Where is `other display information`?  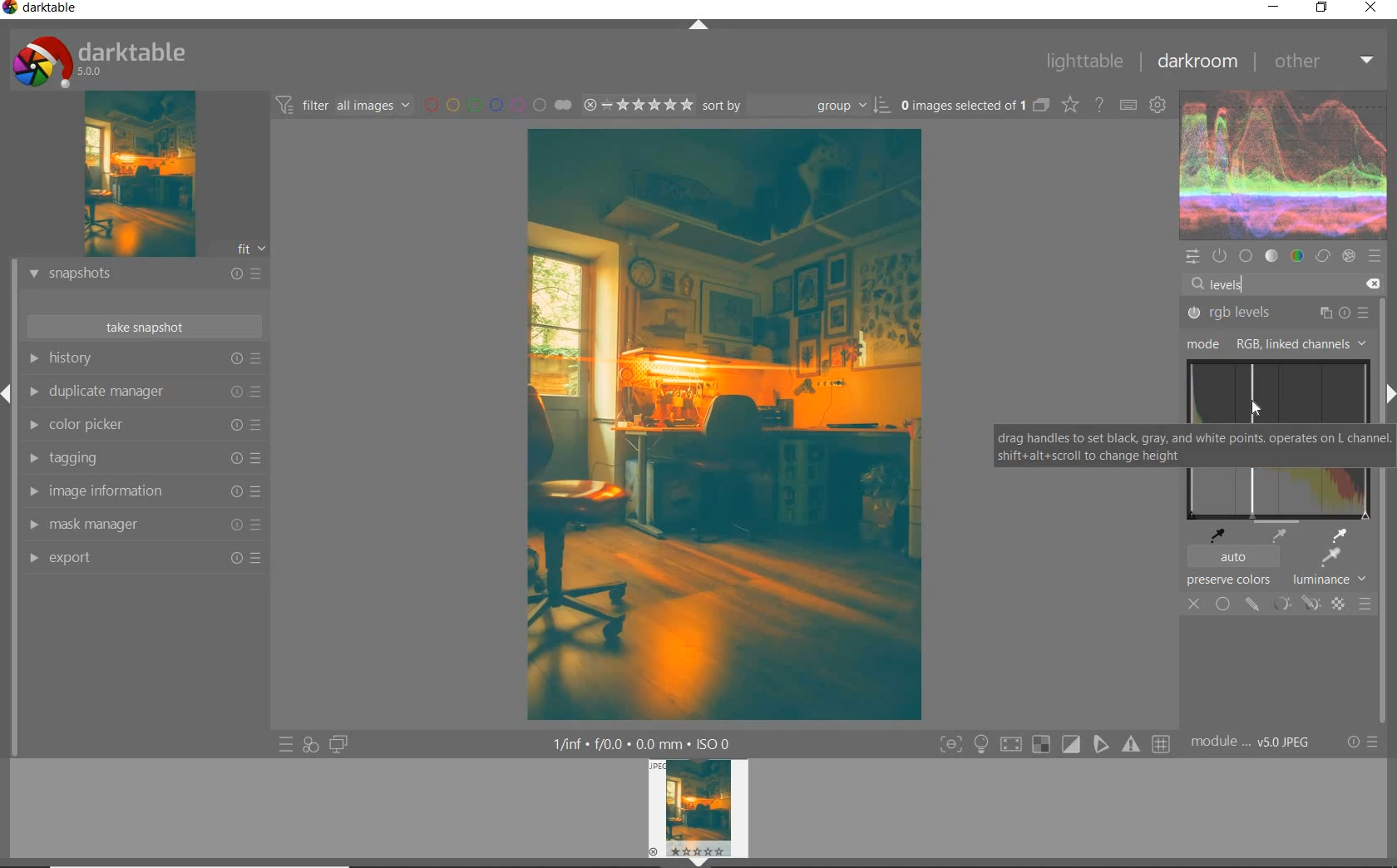
other display information is located at coordinates (643, 742).